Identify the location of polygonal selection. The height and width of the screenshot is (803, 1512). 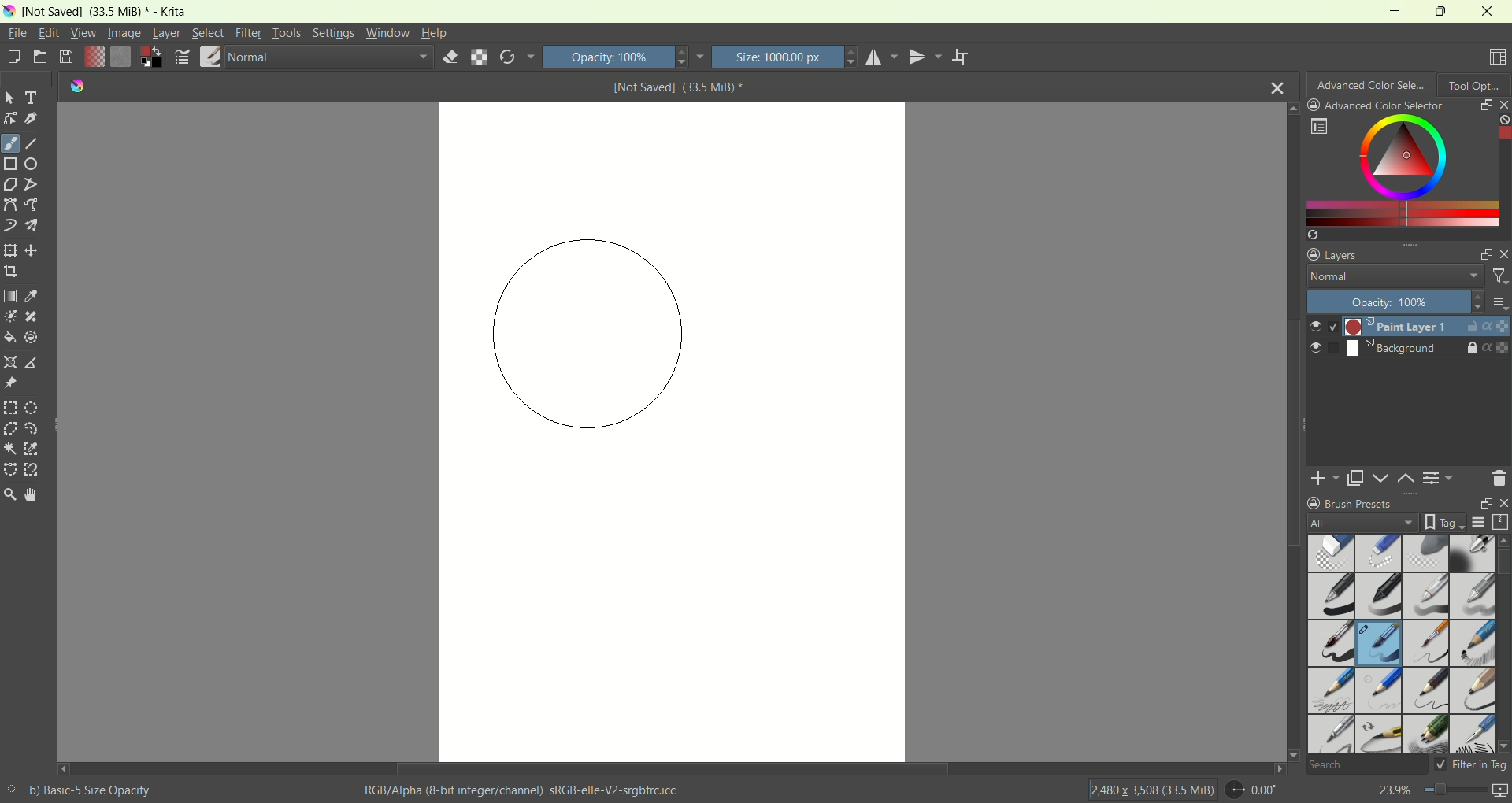
(10, 428).